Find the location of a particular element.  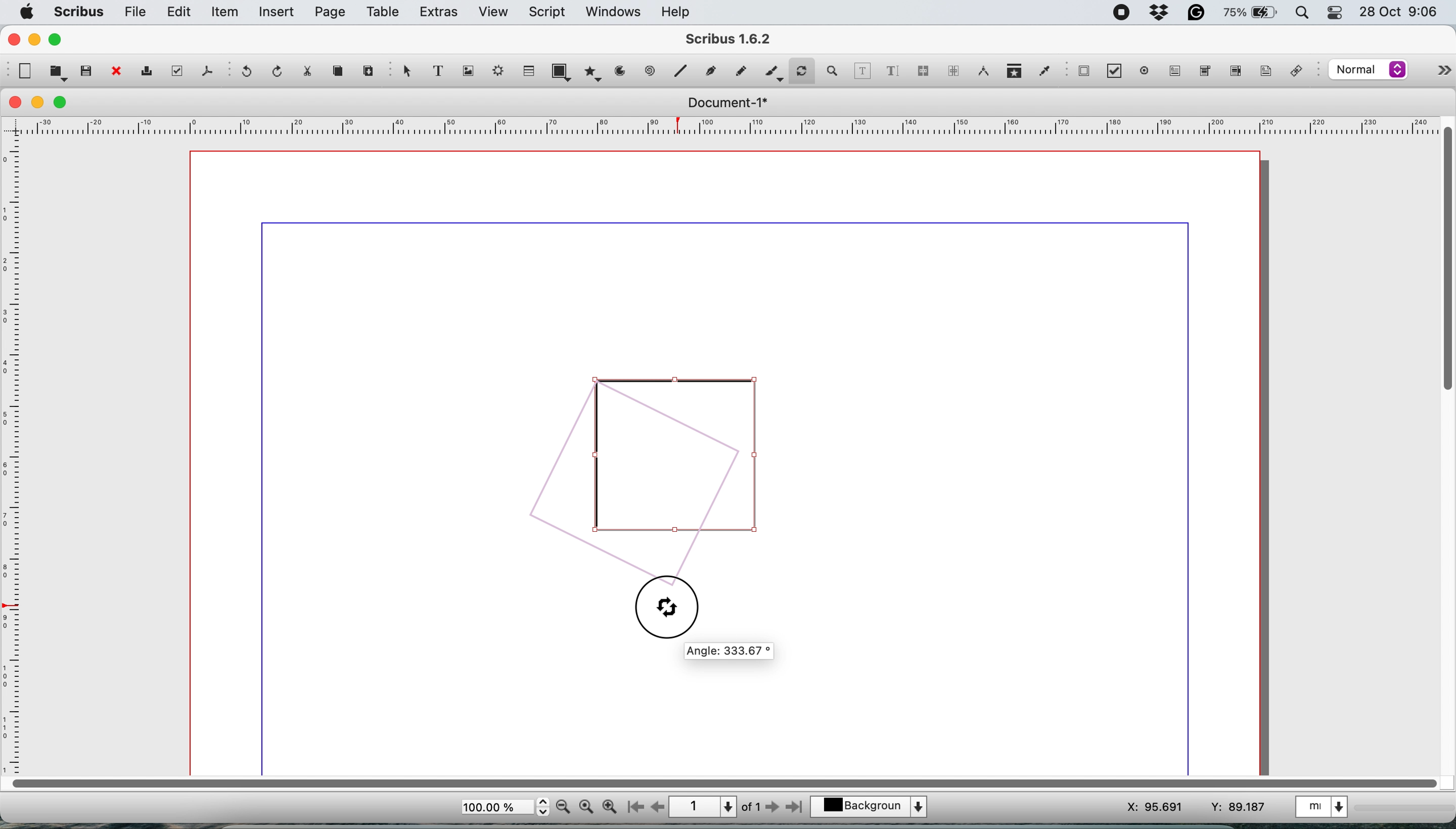

zoom in is located at coordinates (609, 807).